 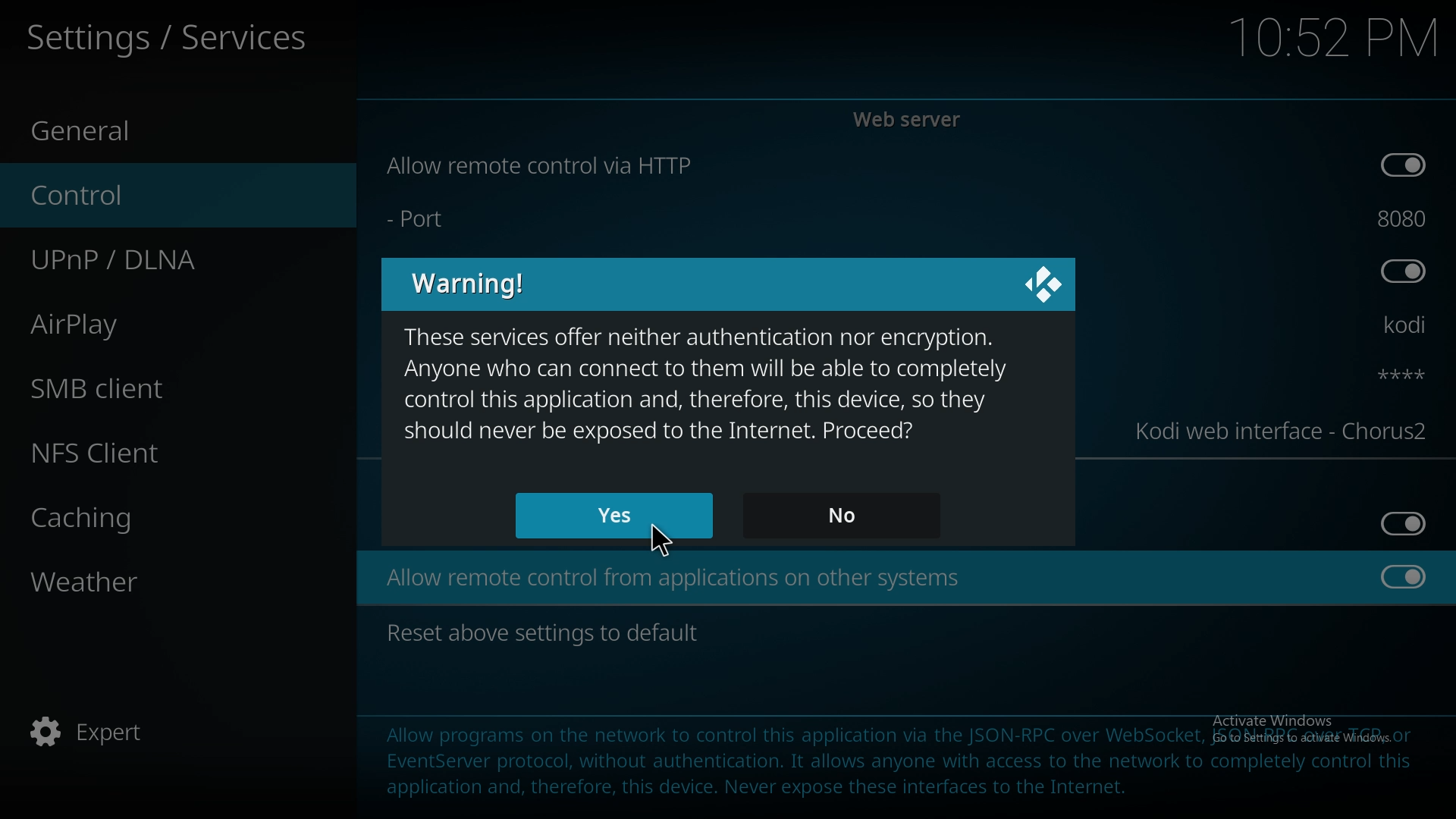 What do you see at coordinates (1043, 286) in the screenshot?
I see `close` at bounding box center [1043, 286].